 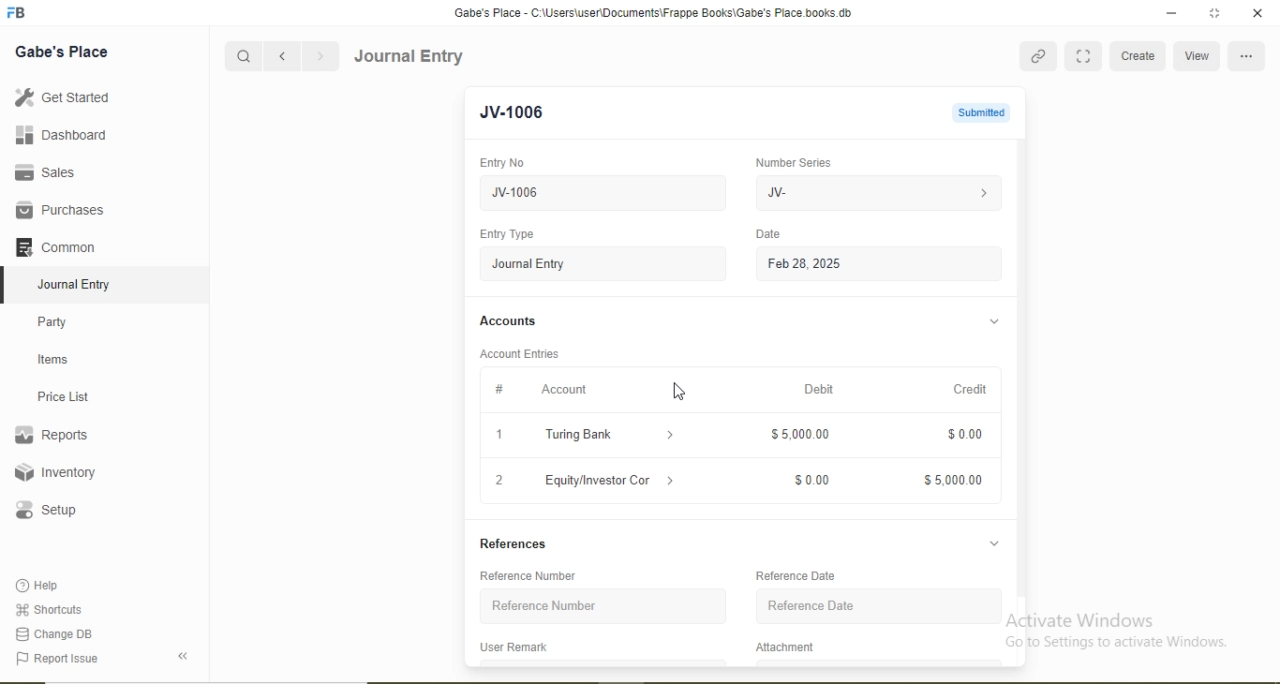 What do you see at coordinates (51, 435) in the screenshot?
I see `Reports` at bounding box center [51, 435].